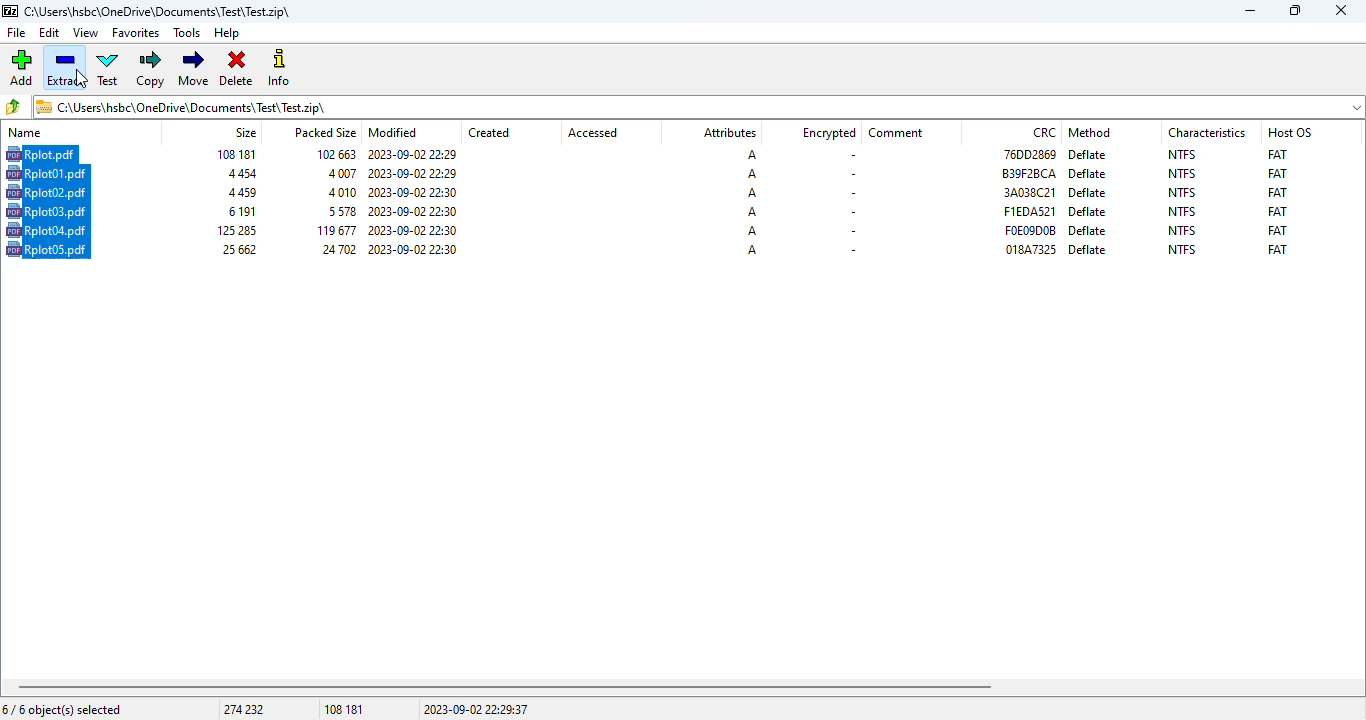 The height and width of the screenshot is (720, 1366). Describe the element at coordinates (136, 33) in the screenshot. I see `favorites` at that location.